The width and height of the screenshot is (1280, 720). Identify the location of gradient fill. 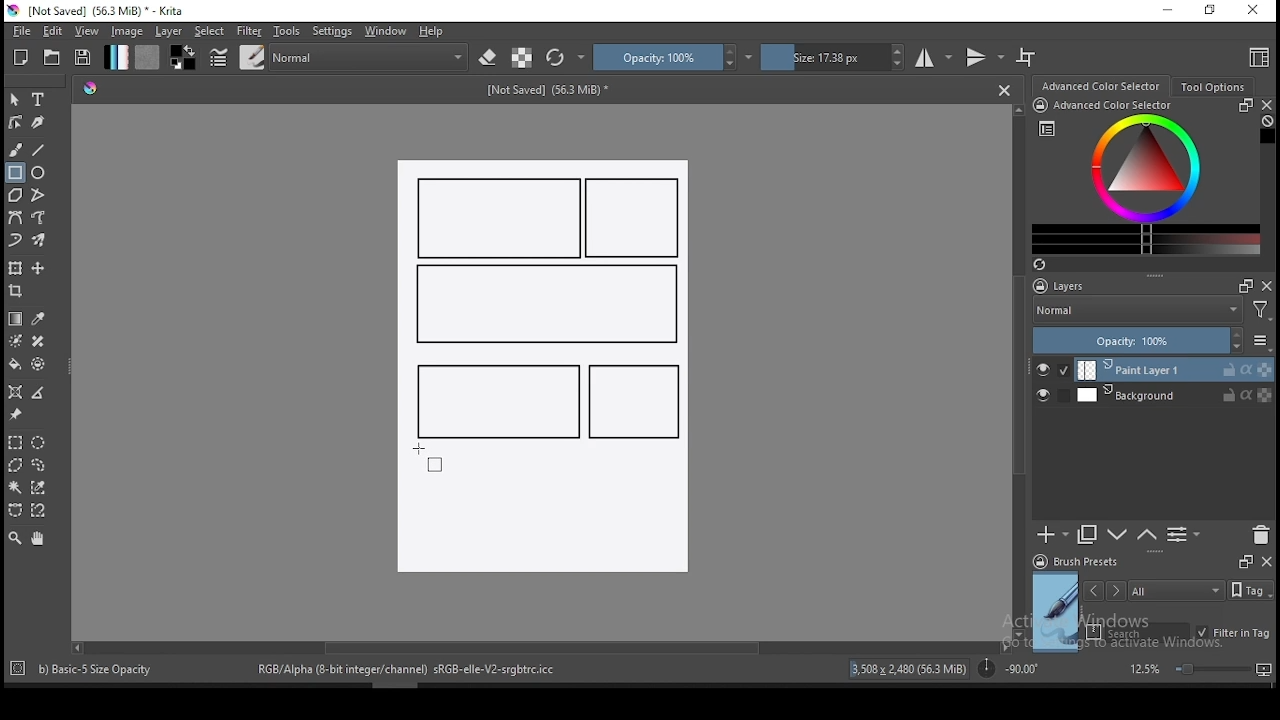
(116, 57).